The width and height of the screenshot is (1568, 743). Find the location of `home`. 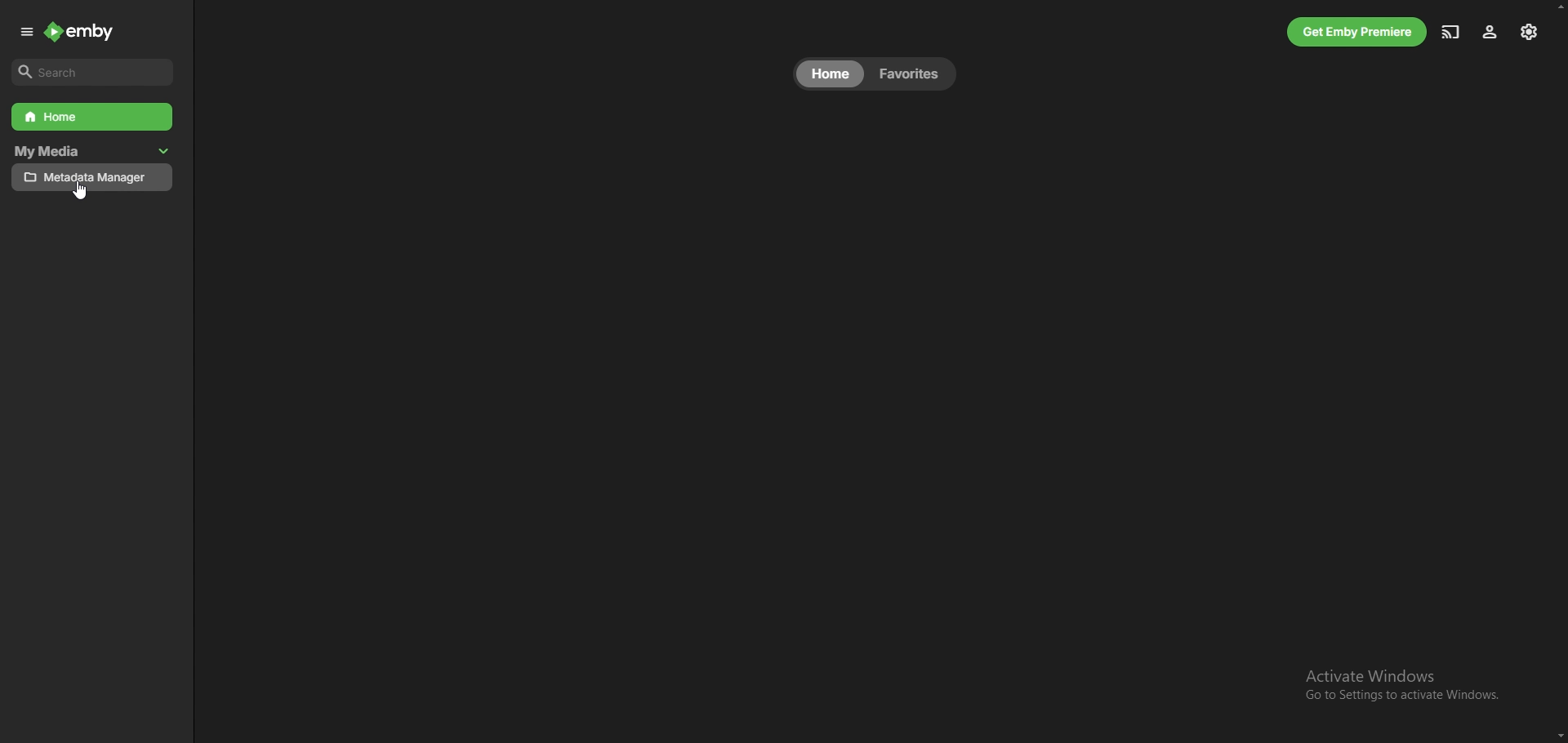

home is located at coordinates (831, 73).